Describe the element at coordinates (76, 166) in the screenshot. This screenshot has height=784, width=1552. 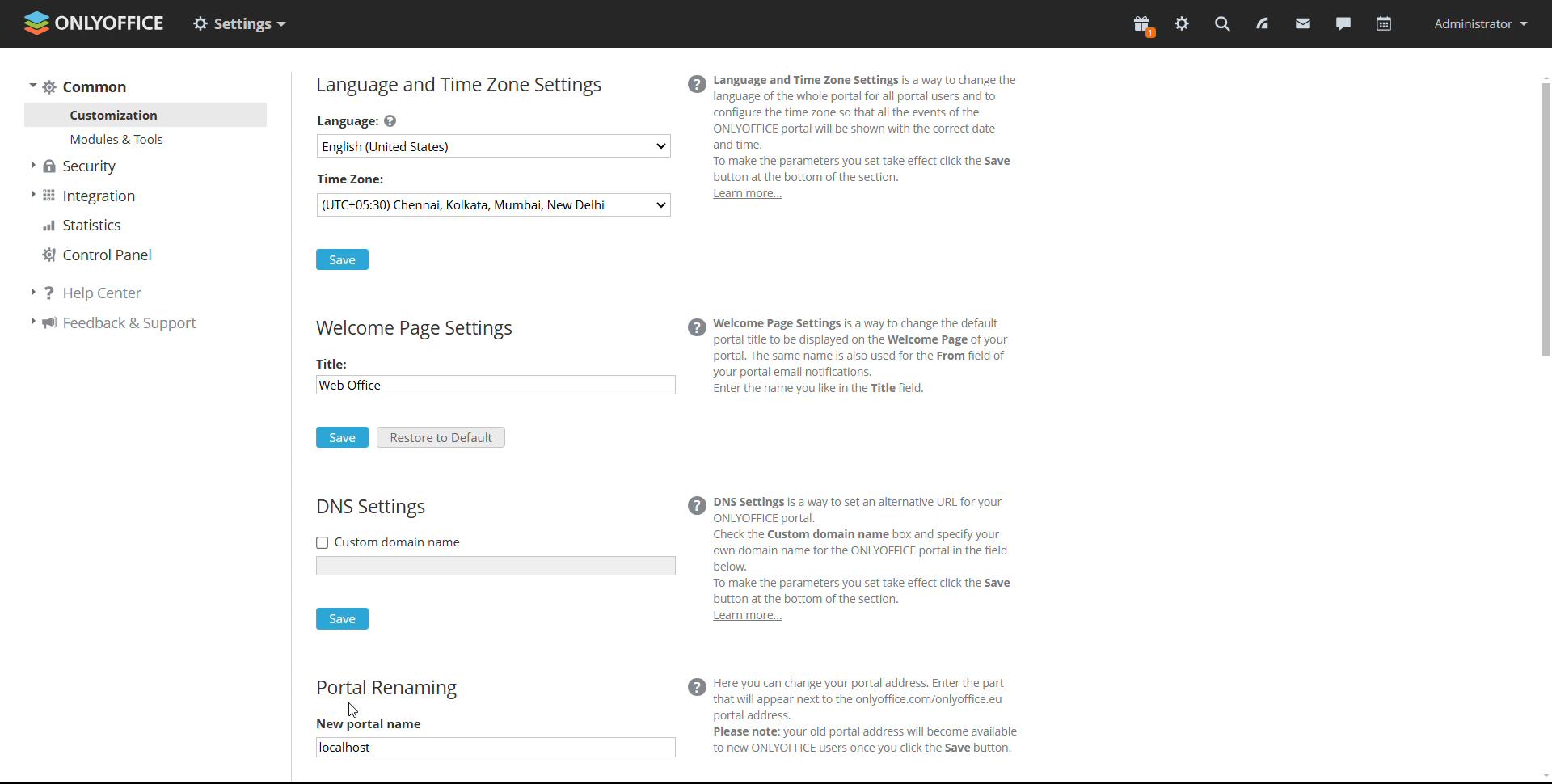
I see `security` at that location.